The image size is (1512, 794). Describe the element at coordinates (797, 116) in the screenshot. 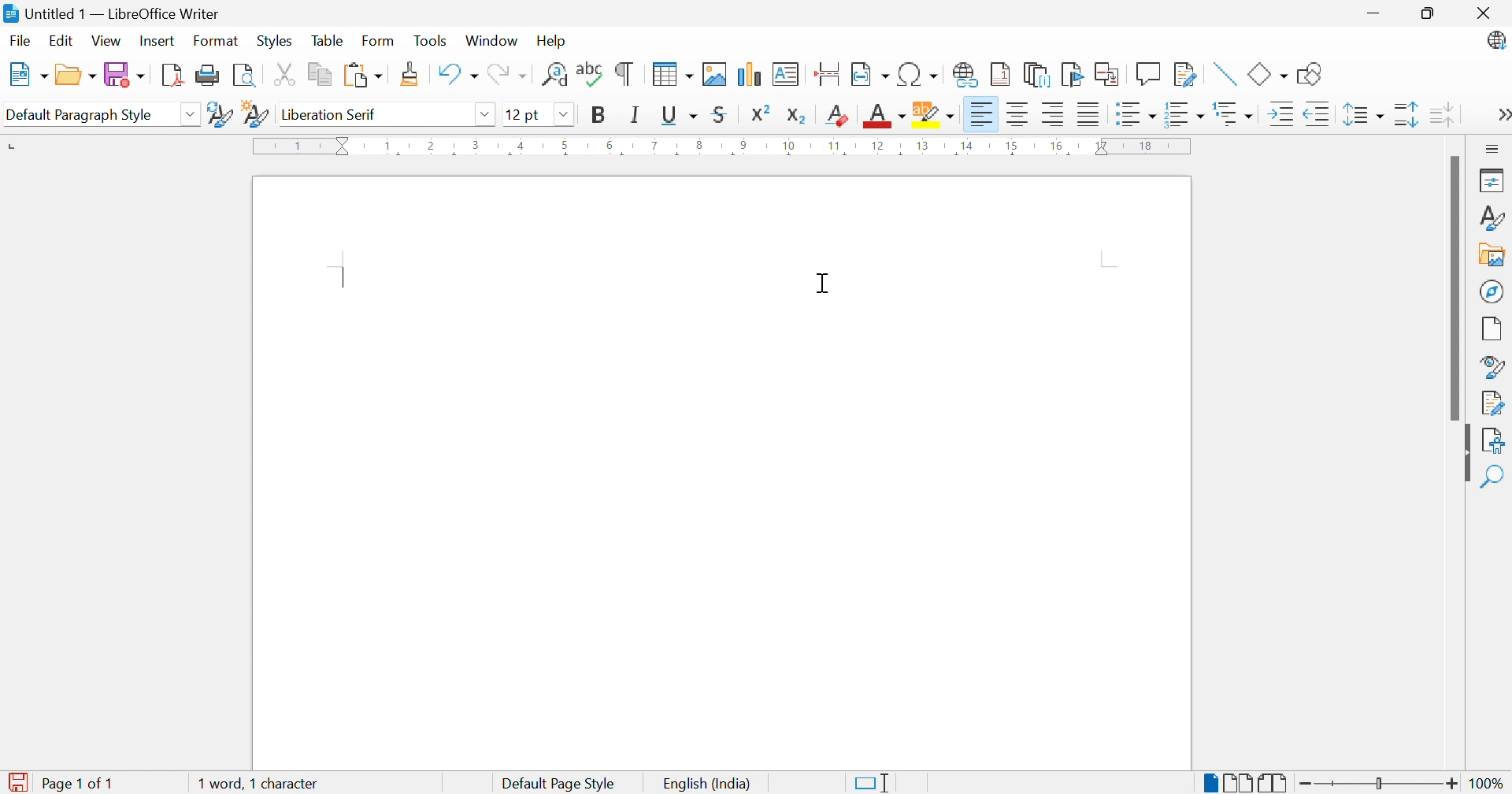

I see `Subscript` at that location.